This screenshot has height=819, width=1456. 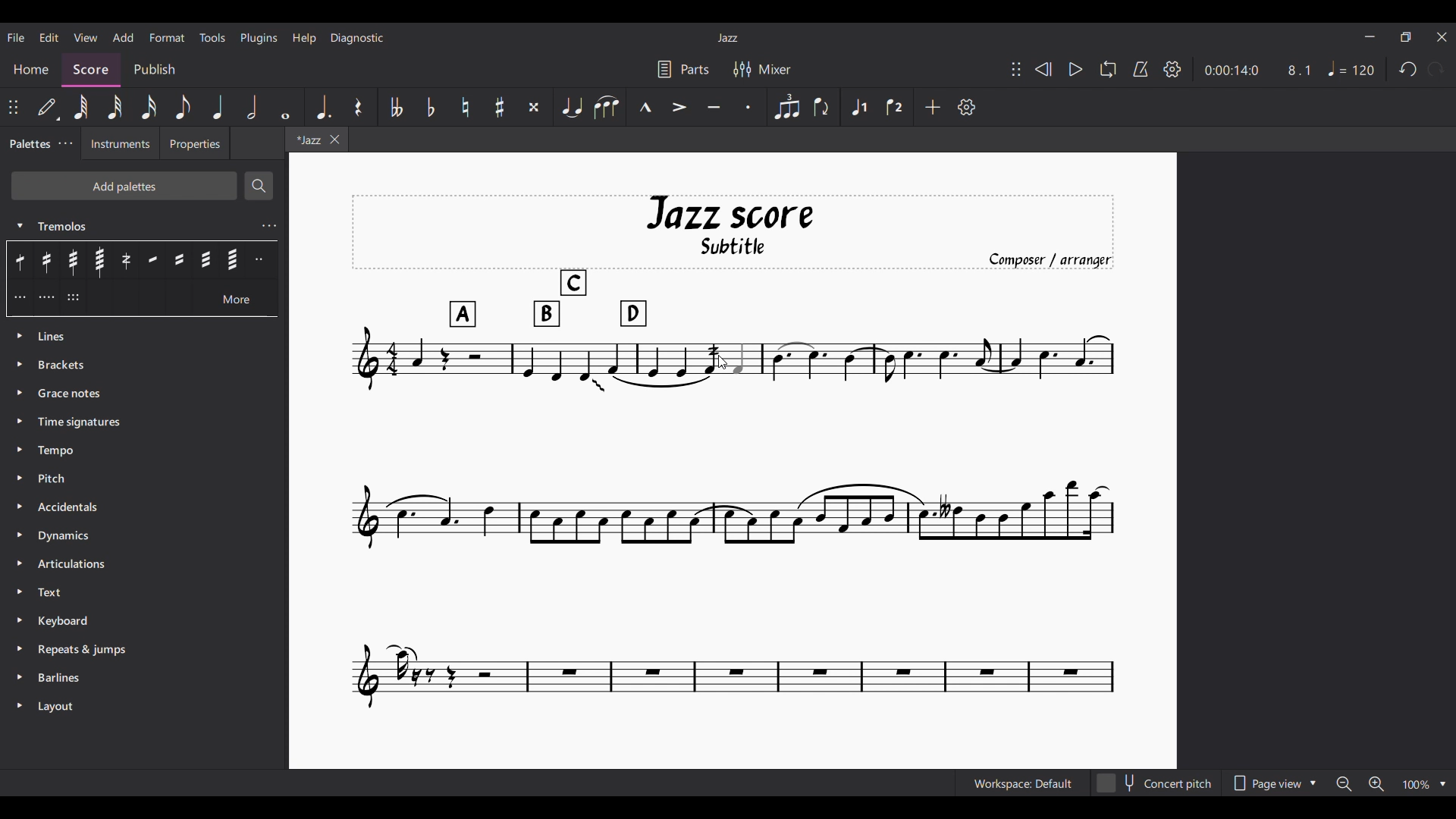 What do you see at coordinates (121, 143) in the screenshot?
I see `Instruments` at bounding box center [121, 143].